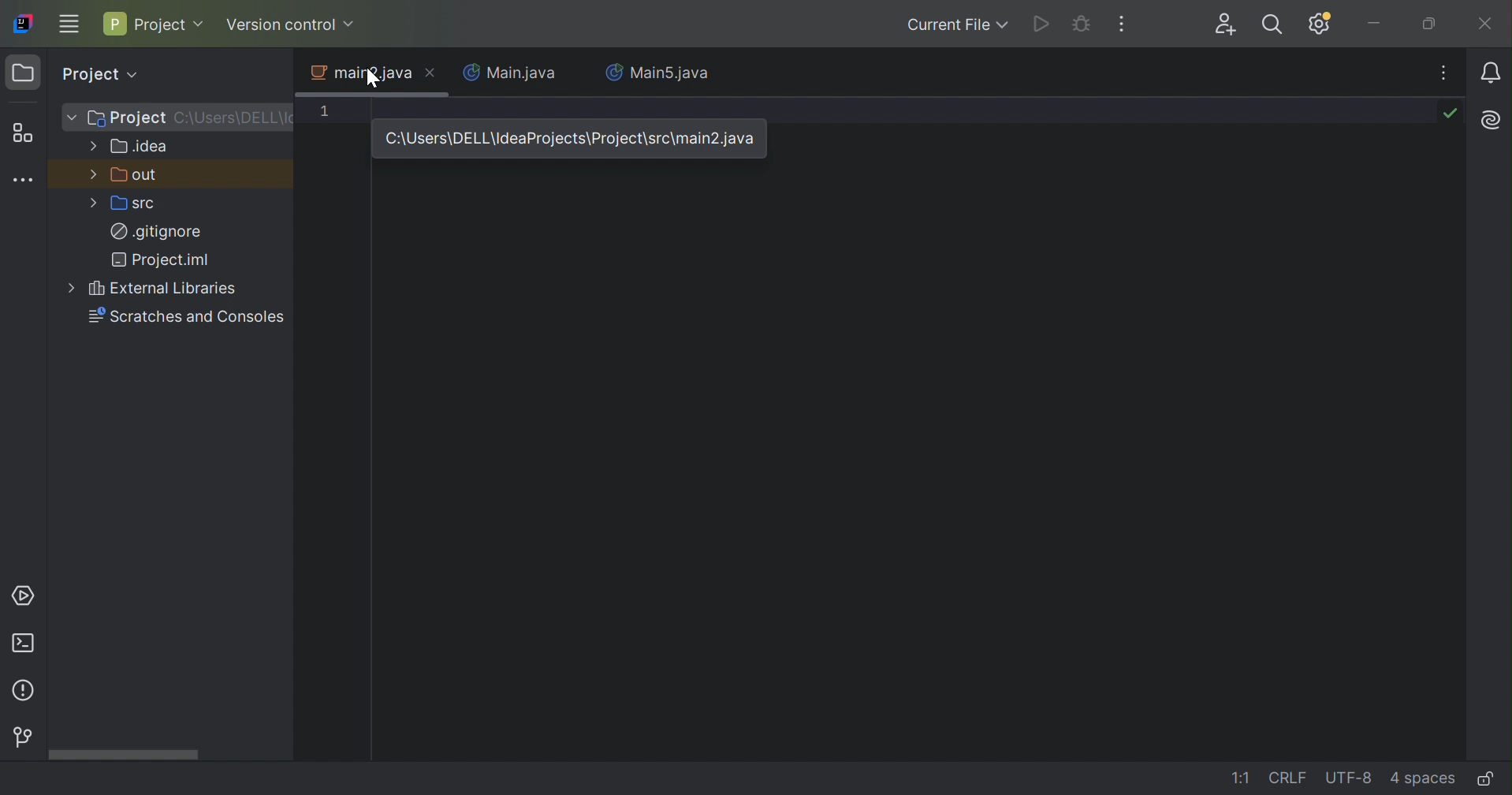  I want to click on More, so click(93, 204).